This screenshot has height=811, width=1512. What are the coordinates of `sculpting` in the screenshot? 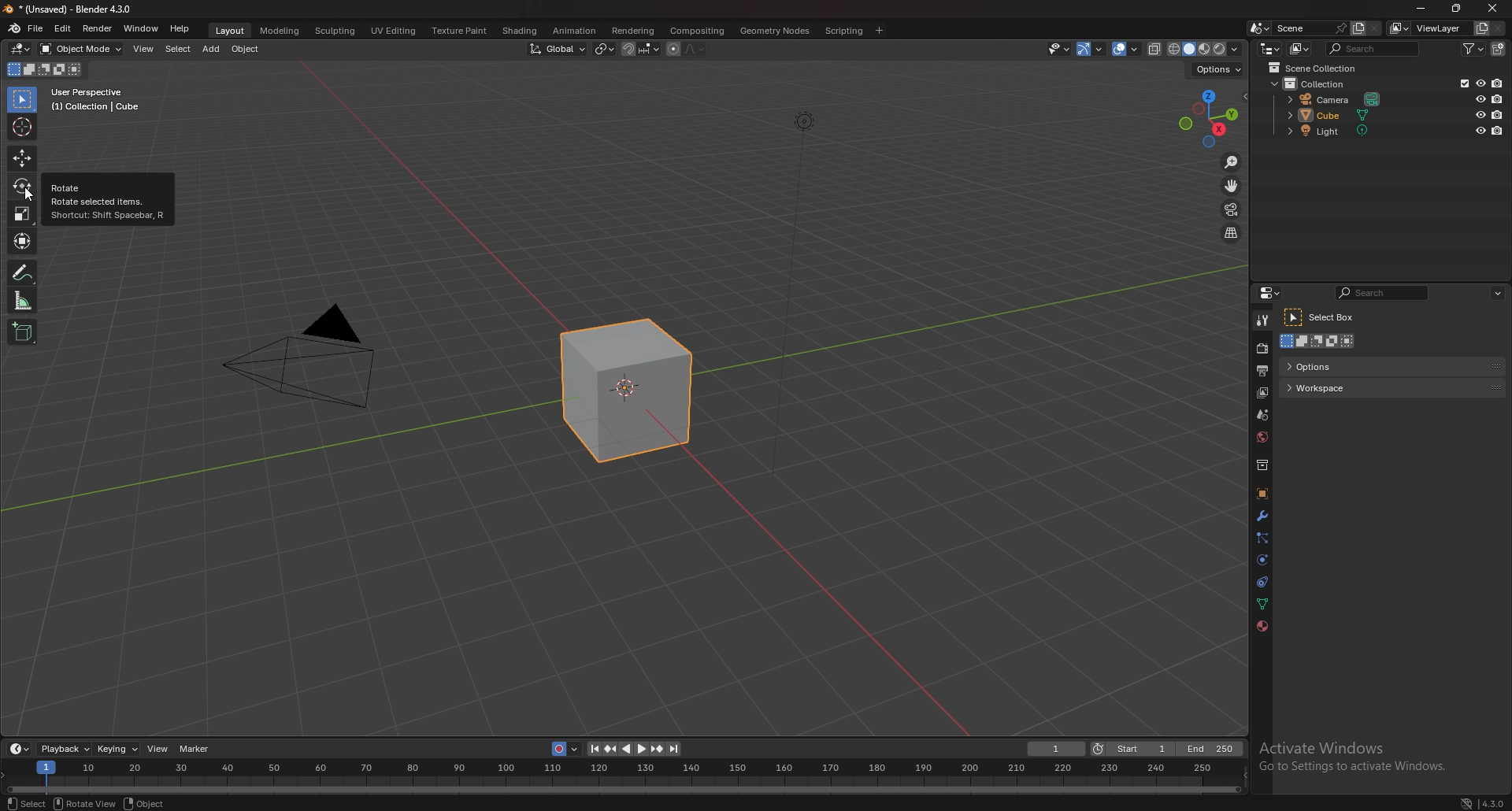 It's located at (337, 31).